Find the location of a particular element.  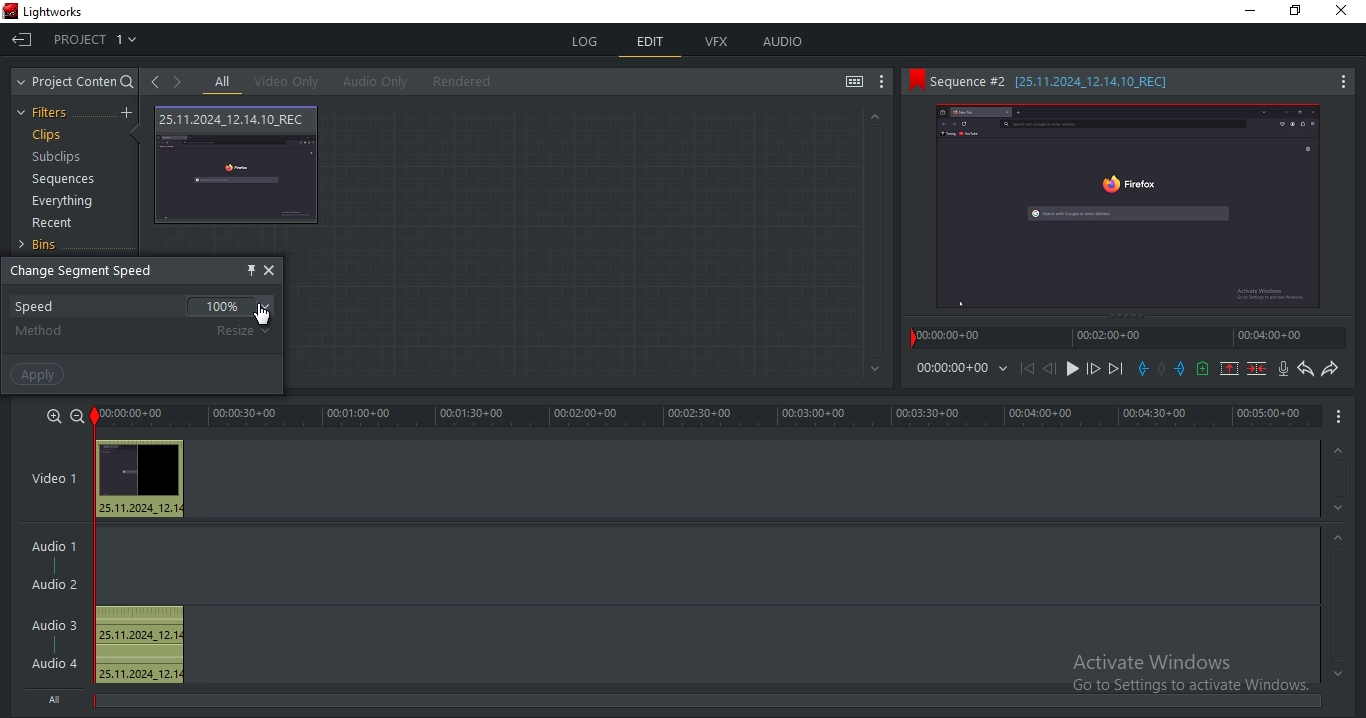

move forward to the next cut is located at coordinates (1114, 369).